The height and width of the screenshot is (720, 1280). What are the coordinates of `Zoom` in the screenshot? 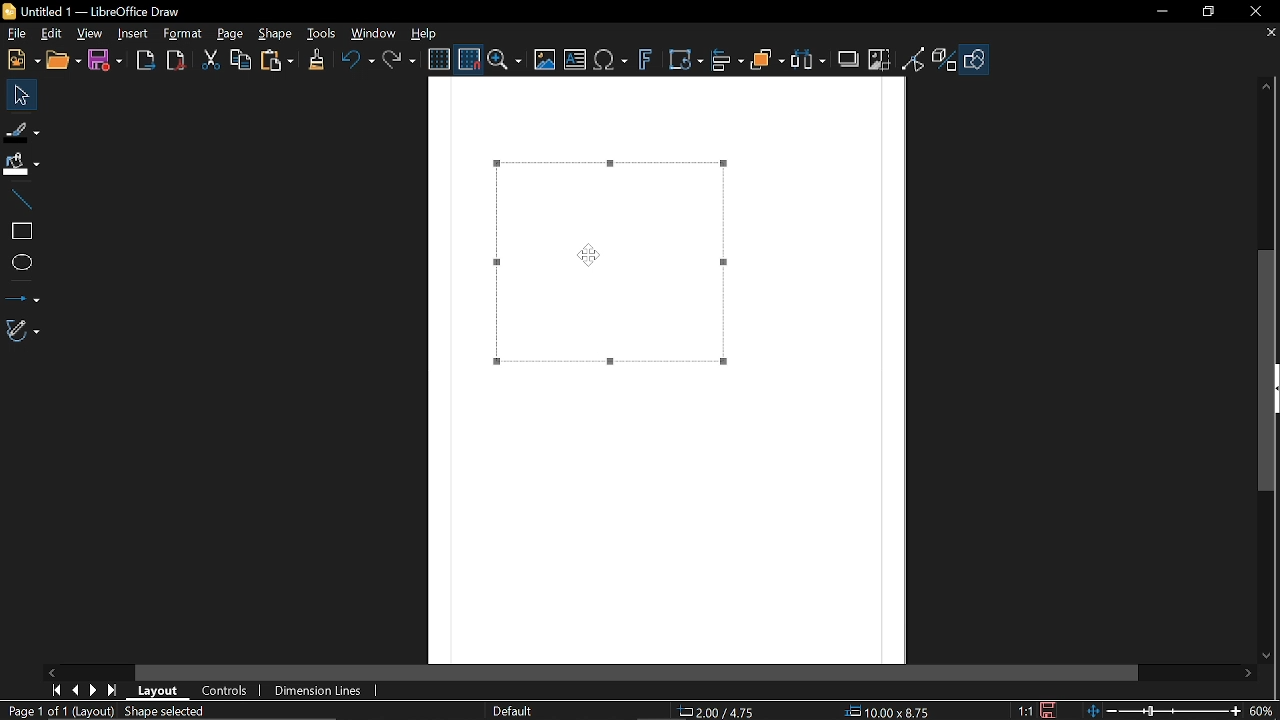 It's located at (505, 60).